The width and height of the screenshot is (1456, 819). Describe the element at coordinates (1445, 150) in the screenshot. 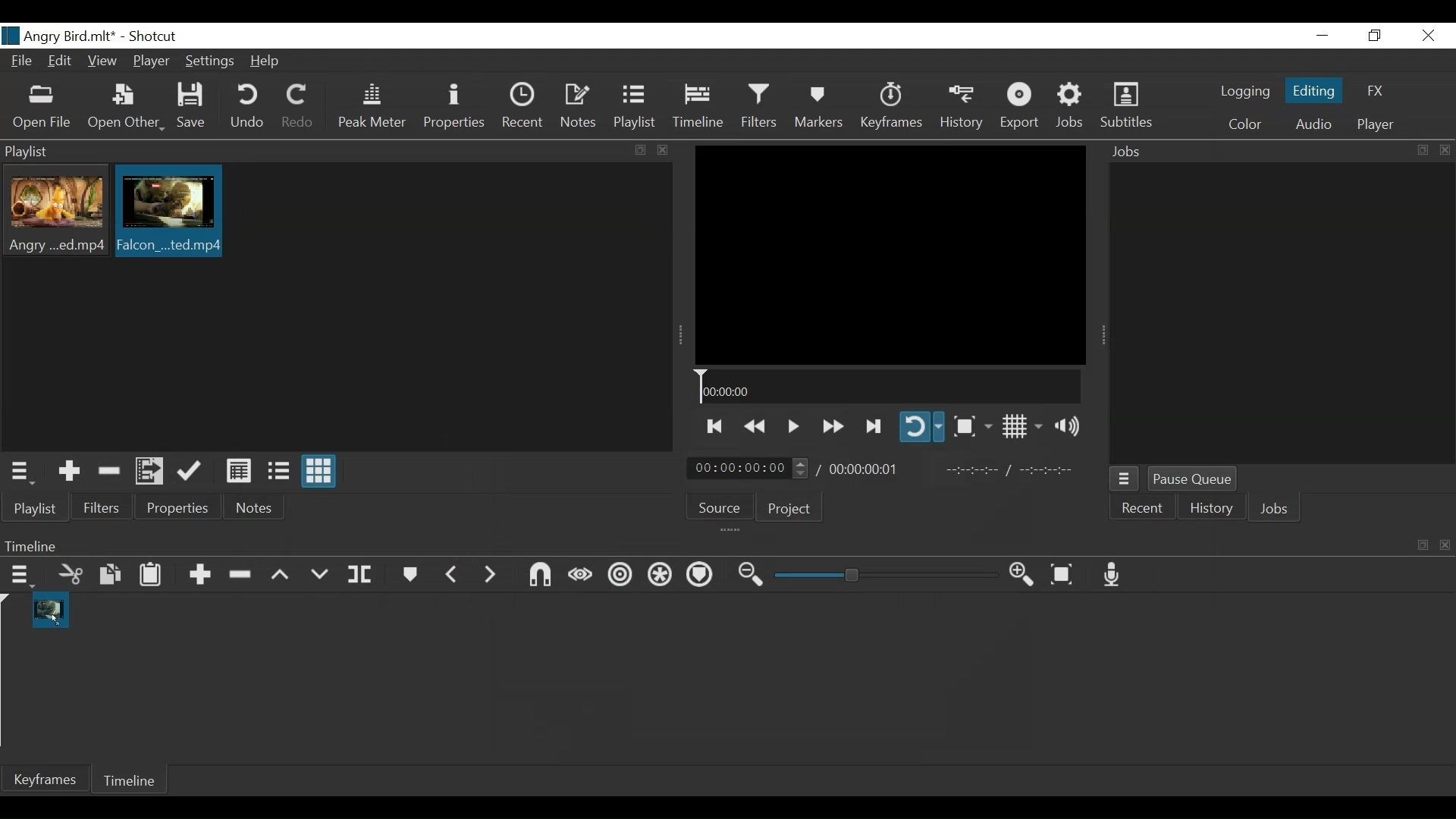

I see `close` at that location.